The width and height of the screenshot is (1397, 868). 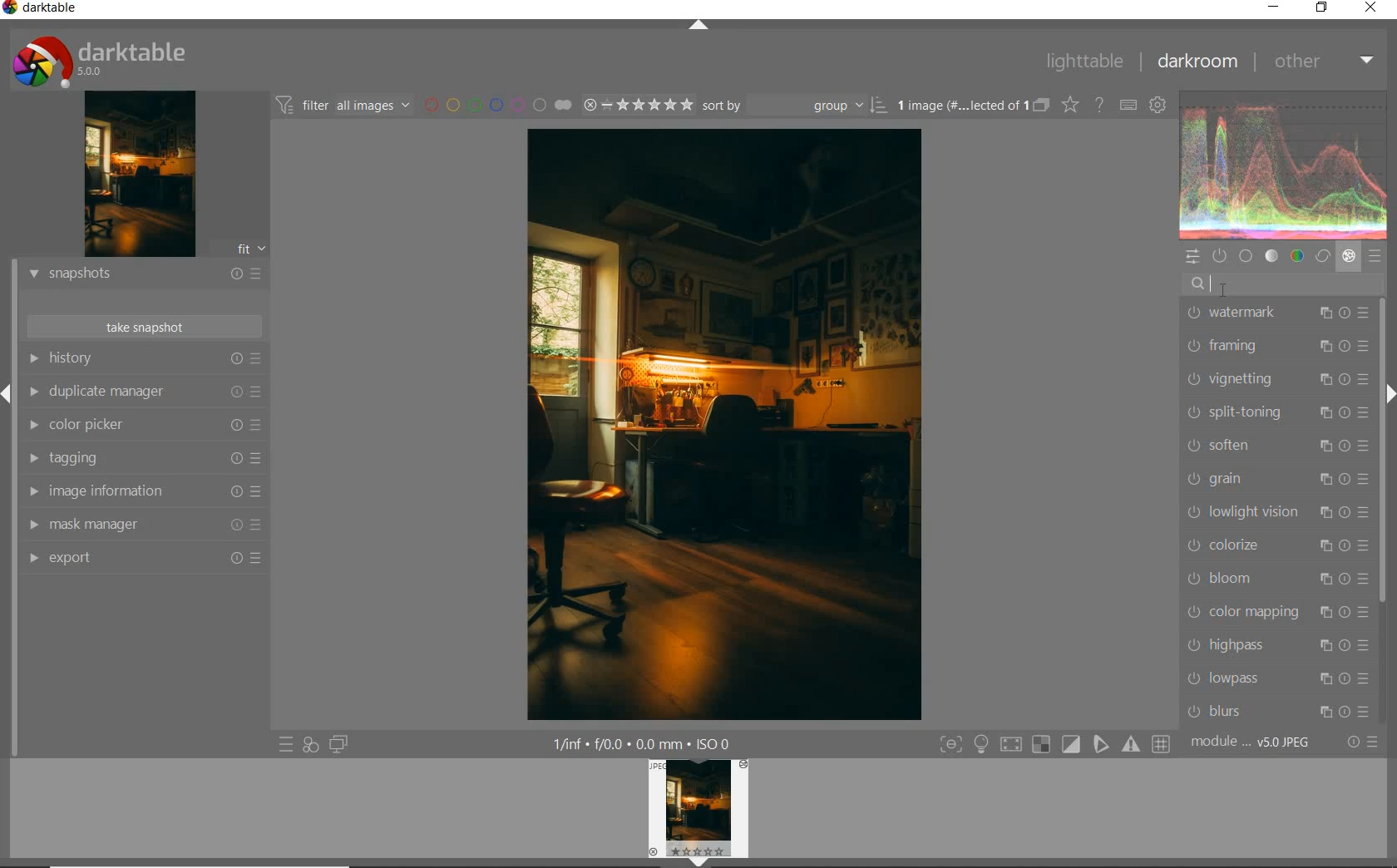 What do you see at coordinates (94, 62) in the screenshot?
I see `system logo` at bounding box center [94, 62].